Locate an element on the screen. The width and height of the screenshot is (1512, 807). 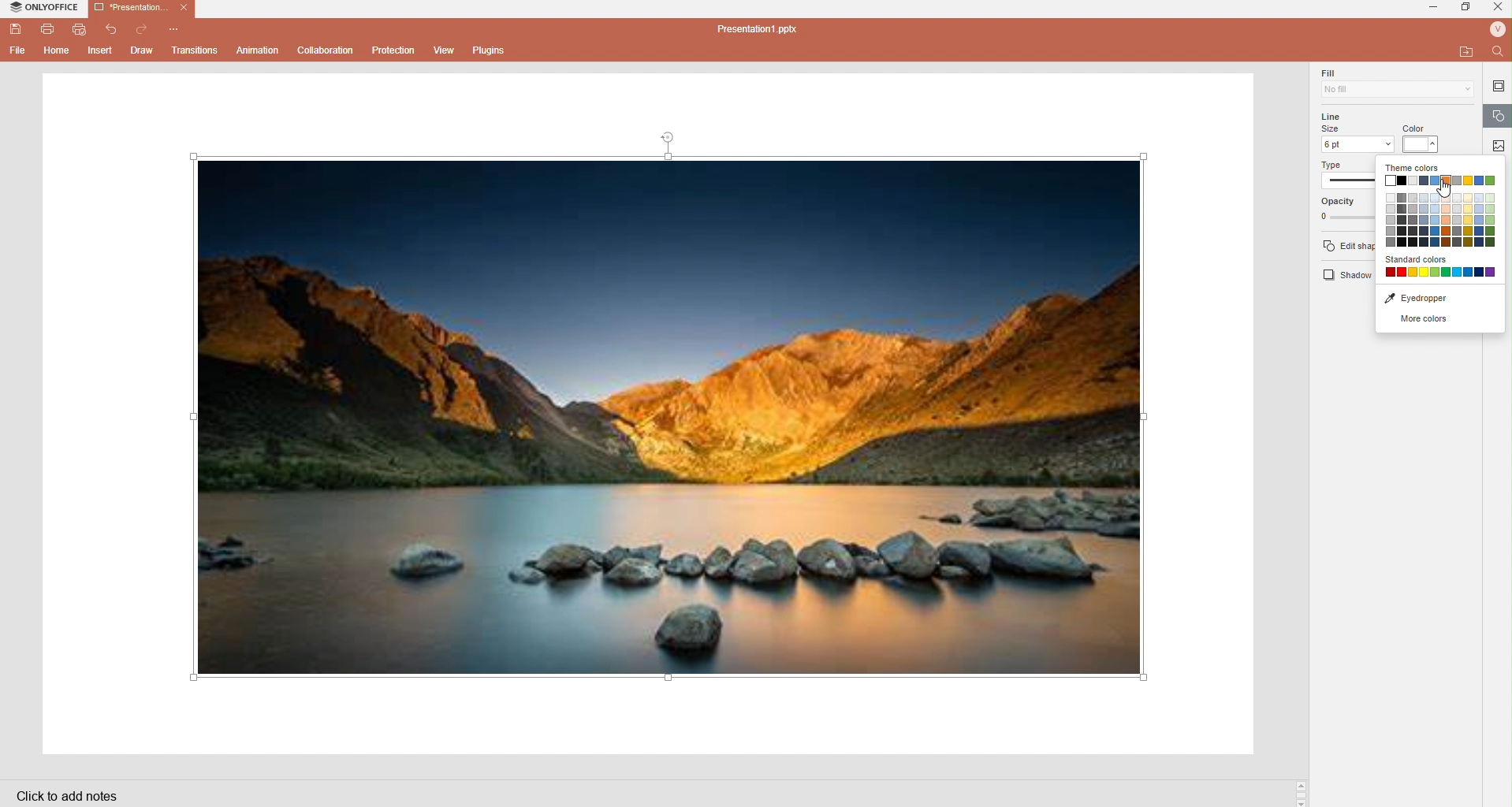
Collaboration is located at coordinates (326, 50).